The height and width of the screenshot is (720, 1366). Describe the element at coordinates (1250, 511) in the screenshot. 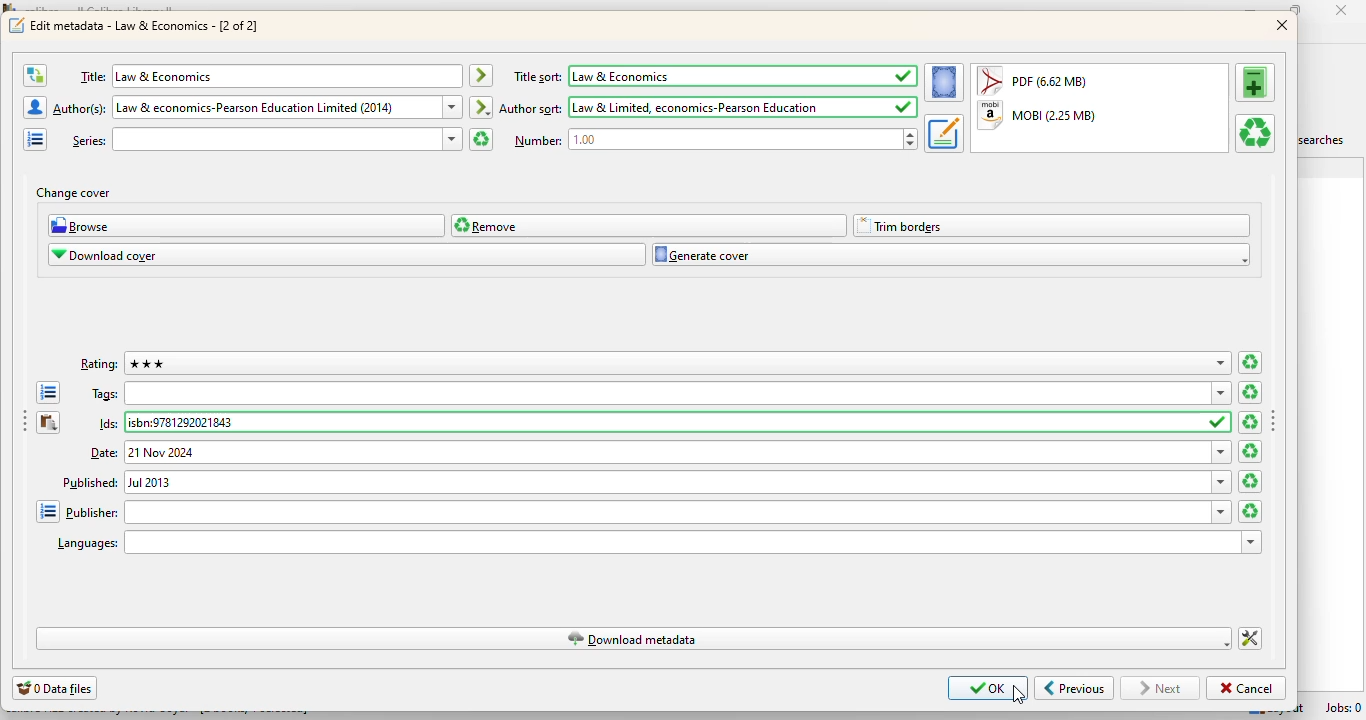

I see `clear publisher` at that location.